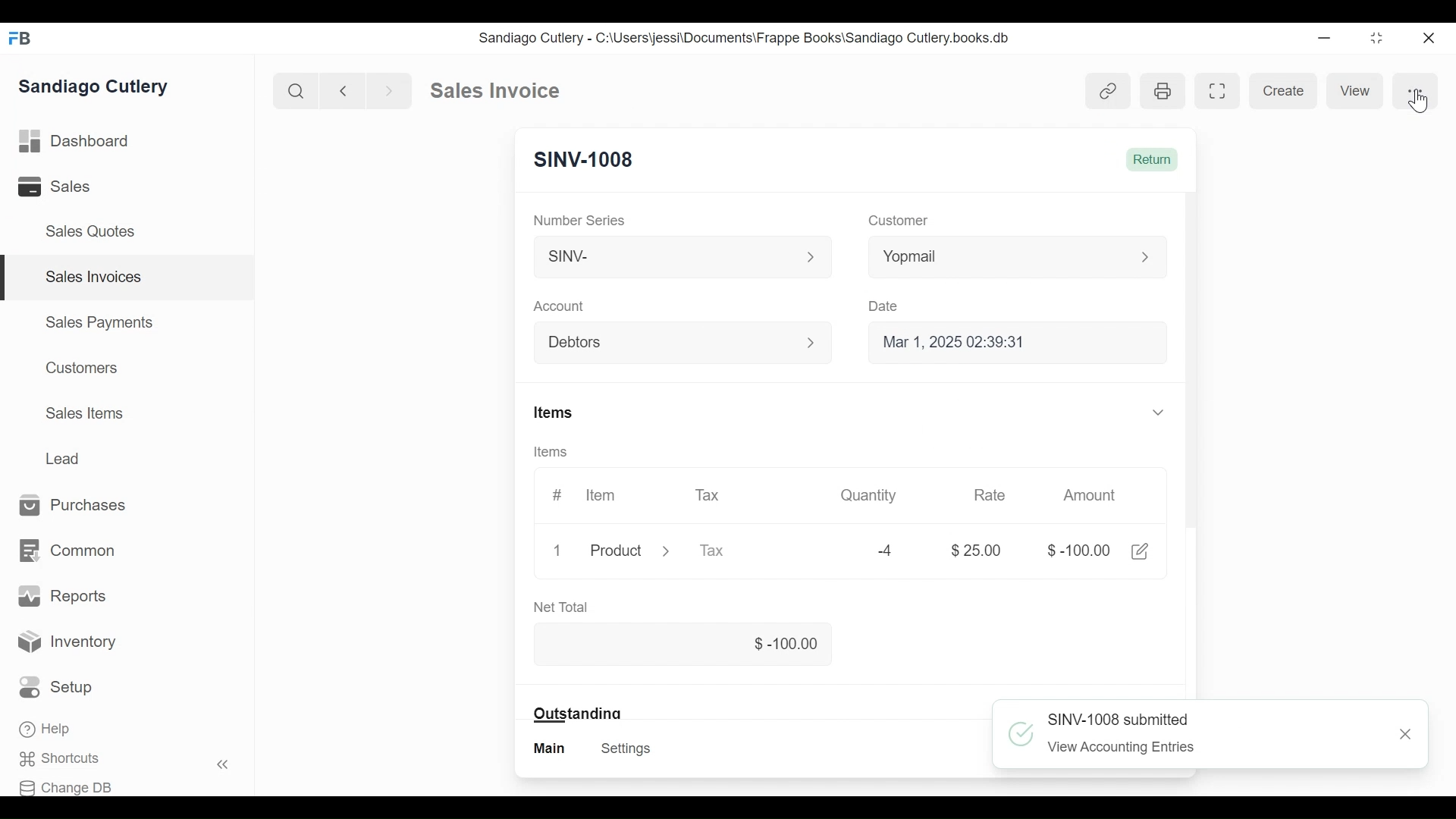 This screenshot has width=1456, height=819. Describe the element at coordinates (1284, 90) in the screenshot. I see `Create` at that location.